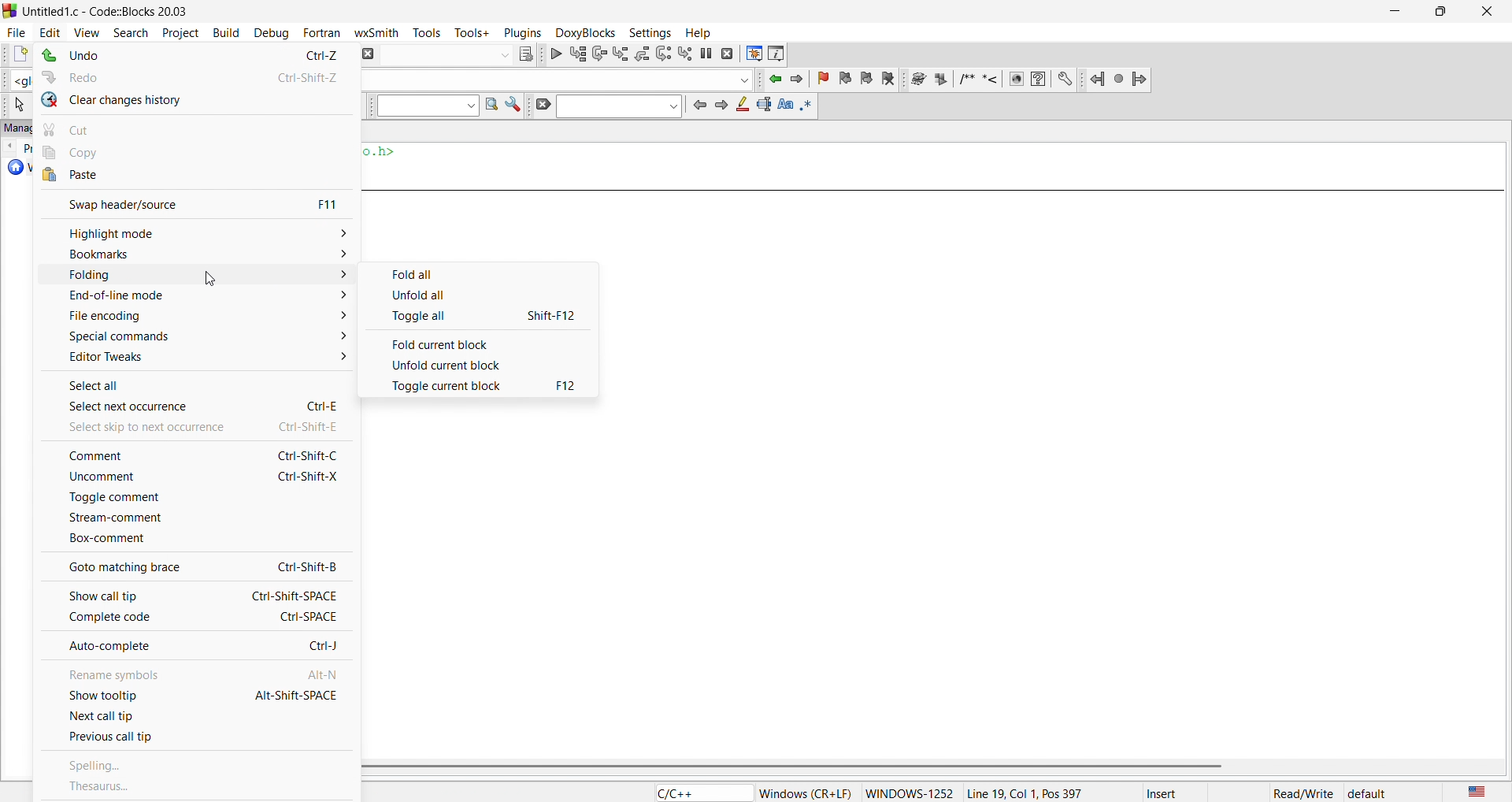 Image resolution: width=1512 pixels, height=802 pixels. What do you see at coordinates (195, 406) in the screenshot?
I see `select next occurence` at bounding box center [195, 406].